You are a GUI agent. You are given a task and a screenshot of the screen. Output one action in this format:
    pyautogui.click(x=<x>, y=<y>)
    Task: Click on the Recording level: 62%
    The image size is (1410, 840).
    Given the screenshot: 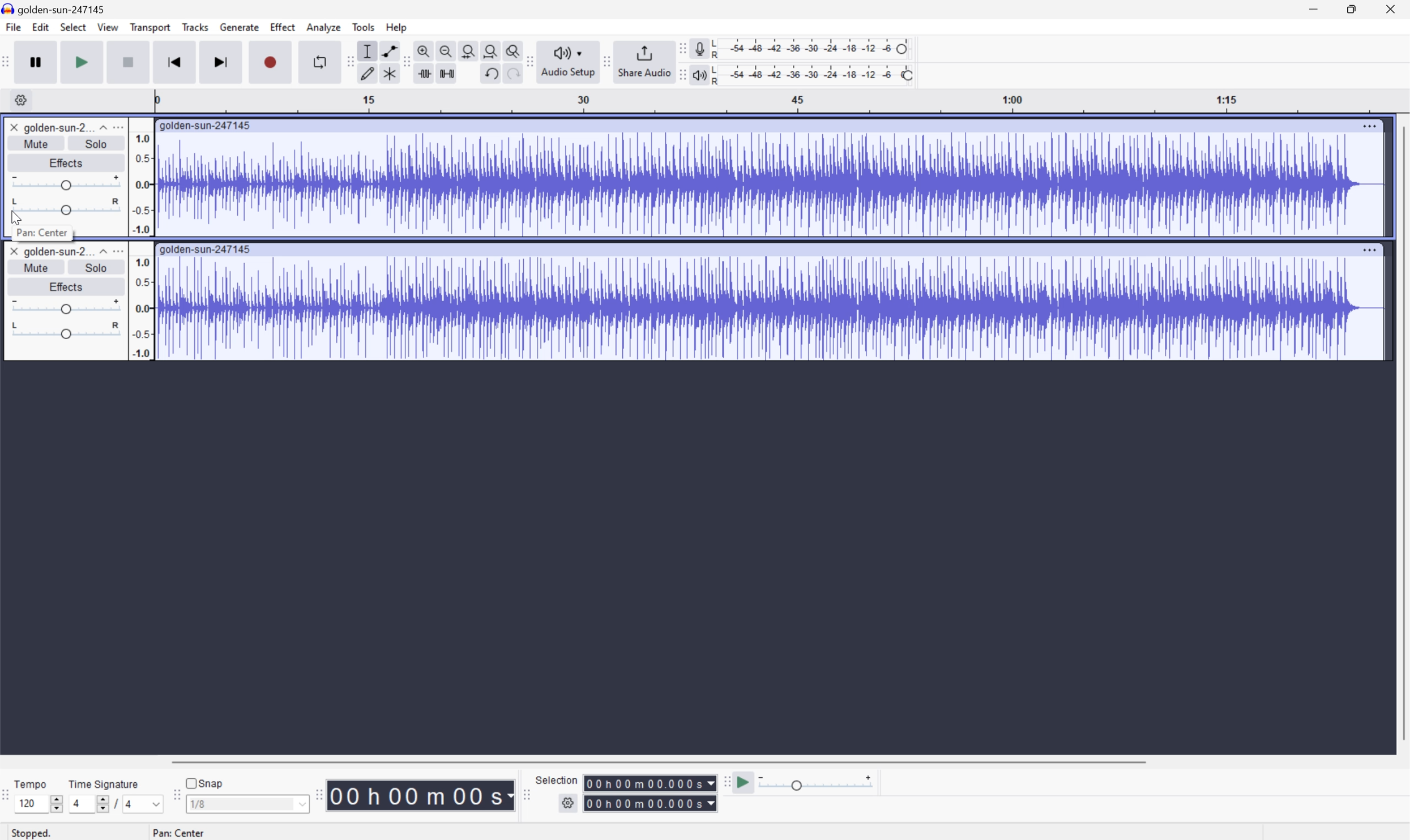 What is the action you would take?
    pyautogui.click(x=813, y=47)
    